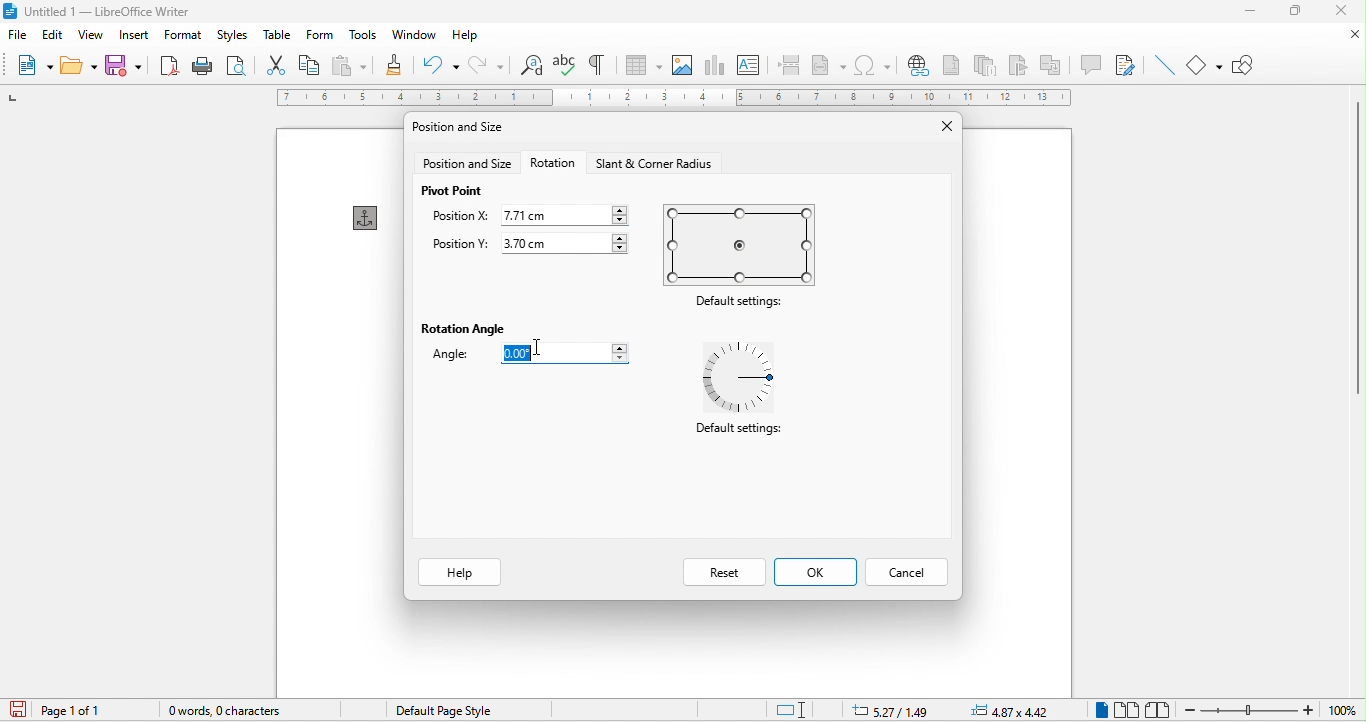  What do you see at coordinates (537, 347) in the screenshot?
I see `Cursor` at bounding box center [537, 347].